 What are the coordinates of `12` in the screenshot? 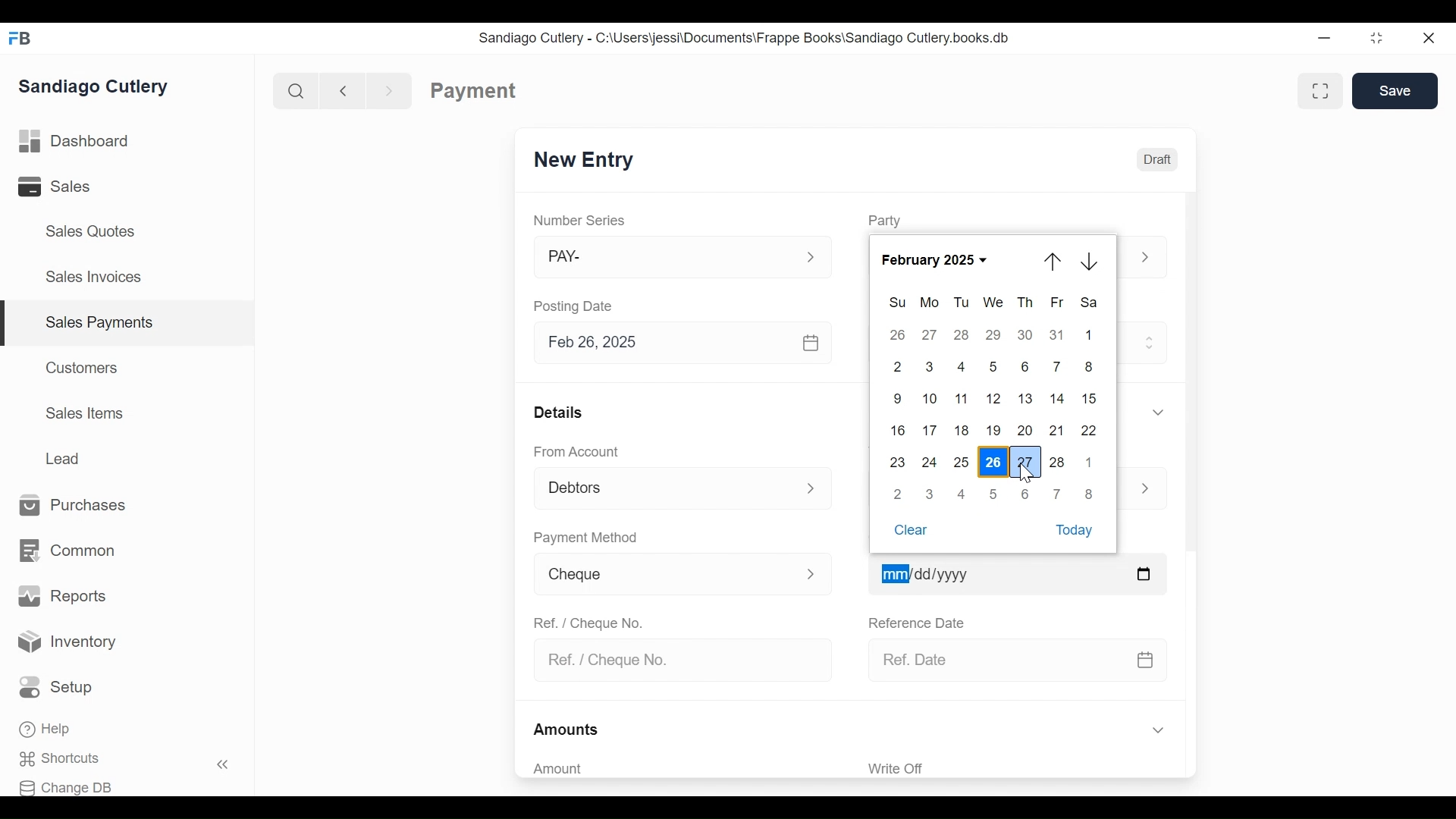 It's located at (995, 399).